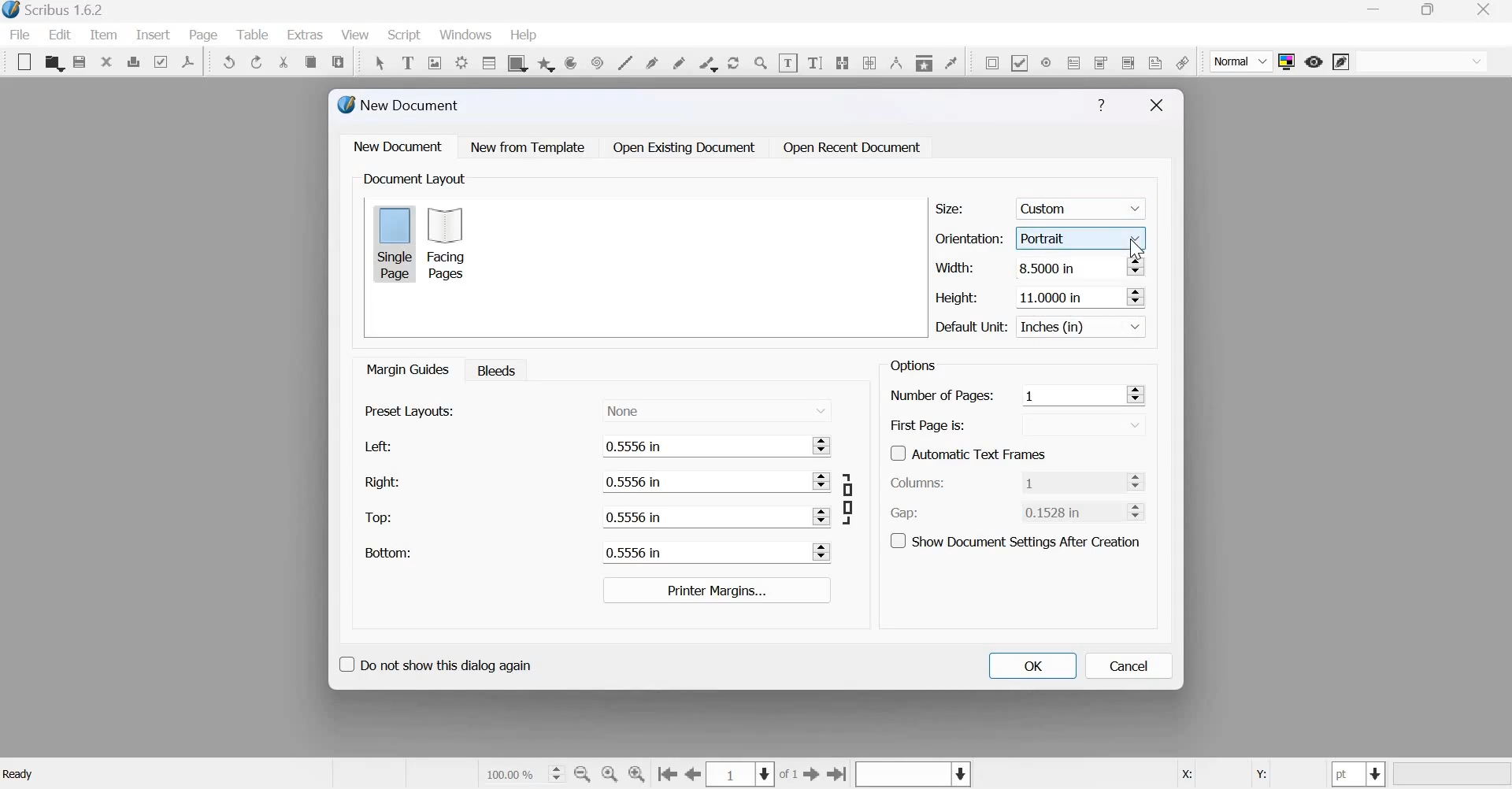 The width and height of the screenshot is (1512, 789). Describe the element at coordinates (787, 62) in the screenshot. I see `edit contents of frame` at that location.